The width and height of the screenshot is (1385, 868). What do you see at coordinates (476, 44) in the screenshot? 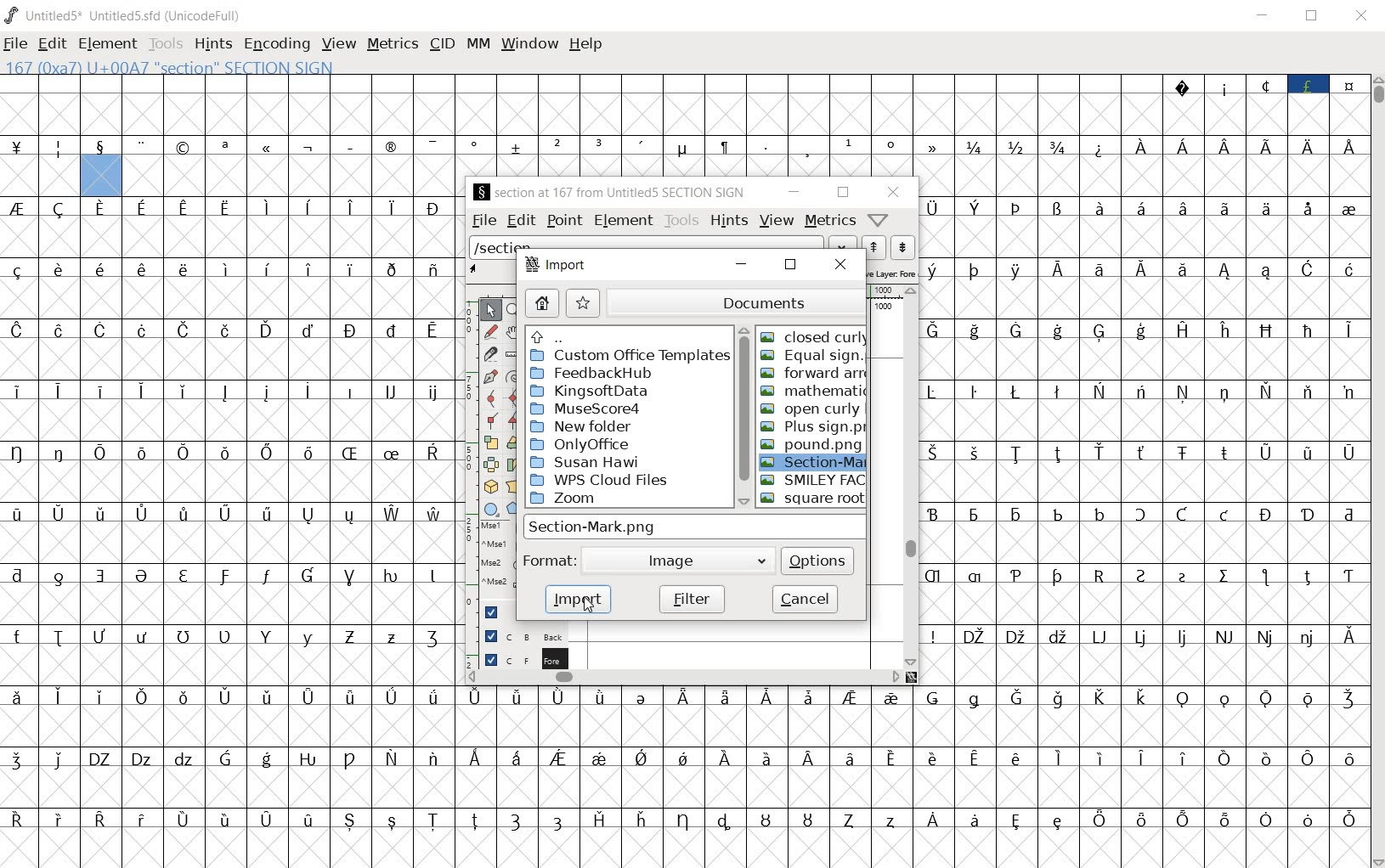
I see `mm` at bounding box center [476, 44].